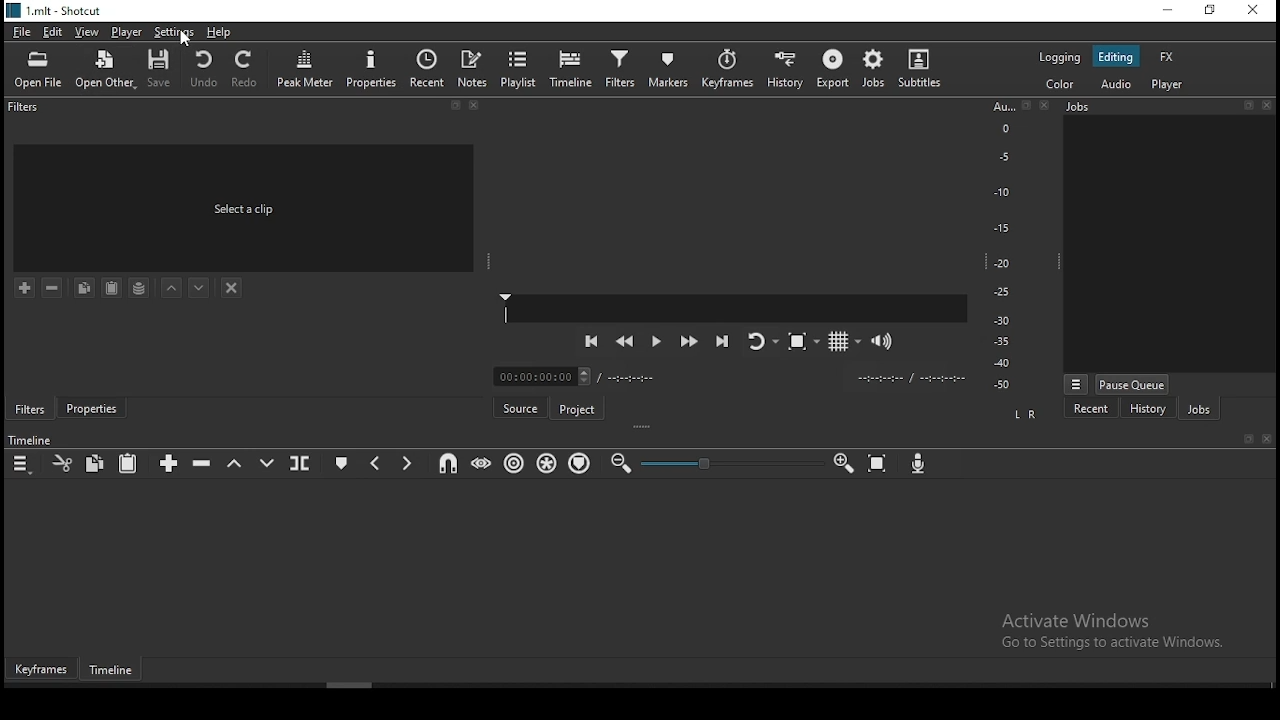 The image size is (1280, 720). I want to click on Timeline, so click(32, 440).